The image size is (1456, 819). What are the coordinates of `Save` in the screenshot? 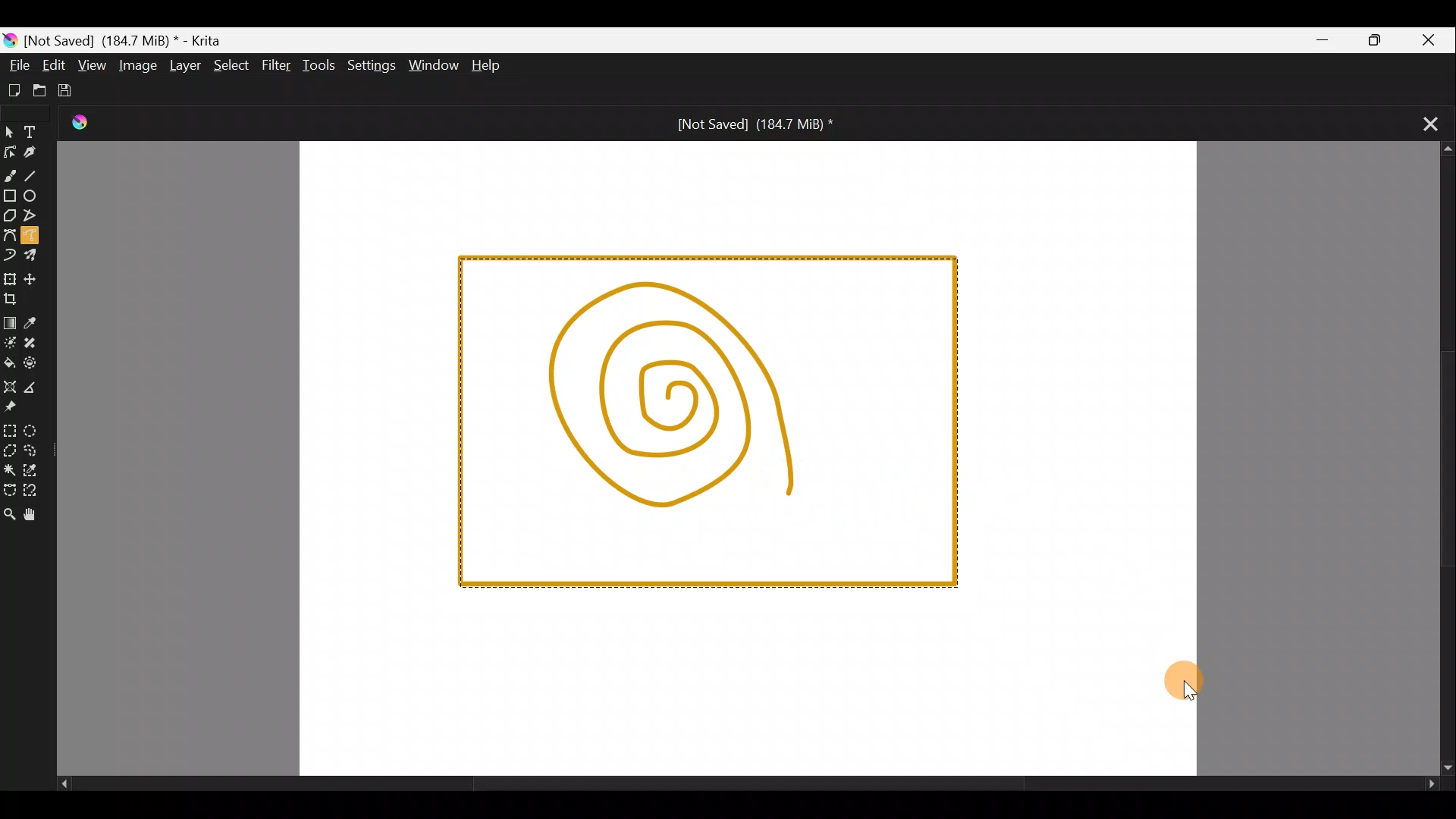 It's located at (72, 93).